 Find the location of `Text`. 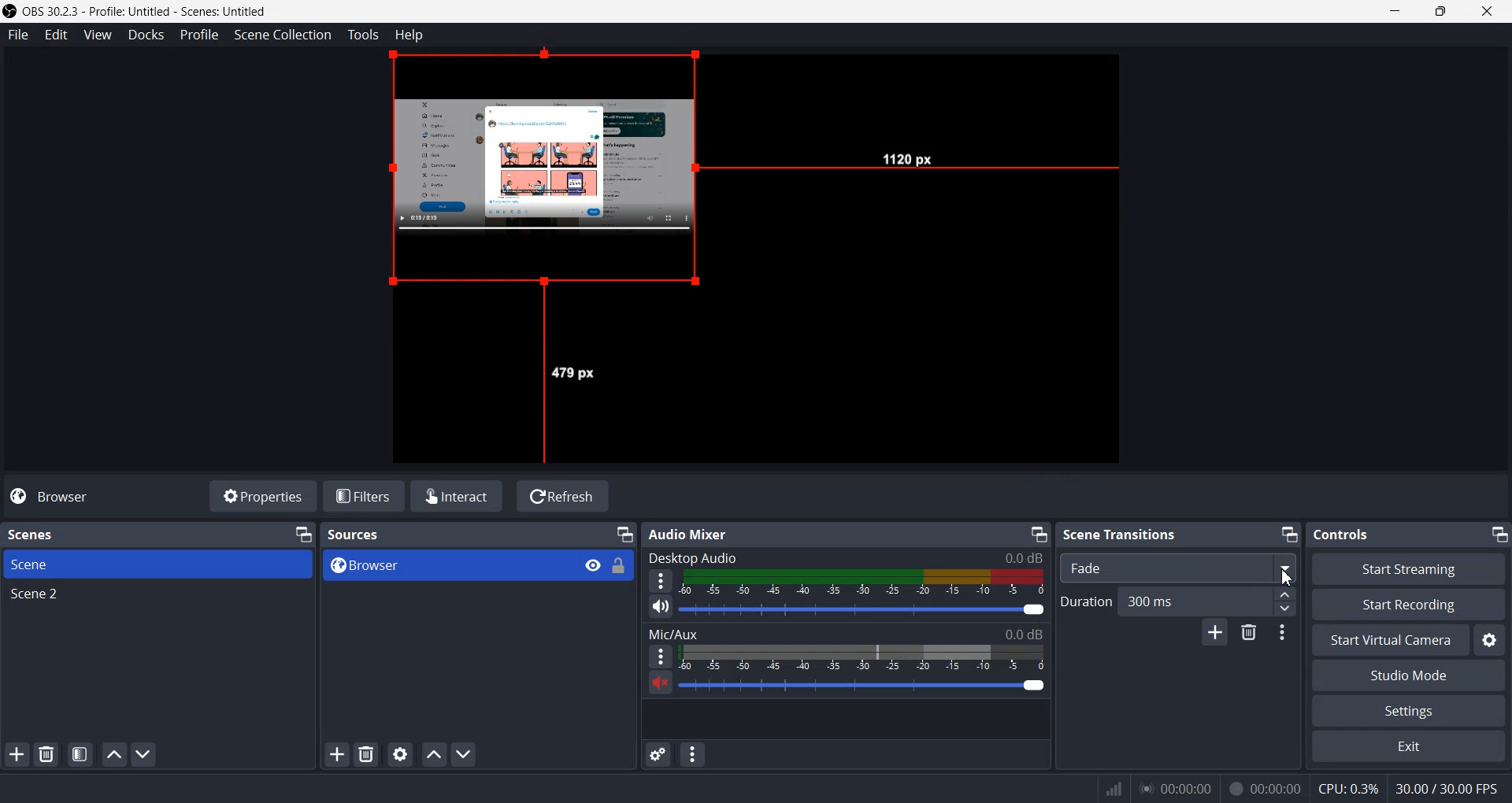

Text is located at coordinates (41, 534).